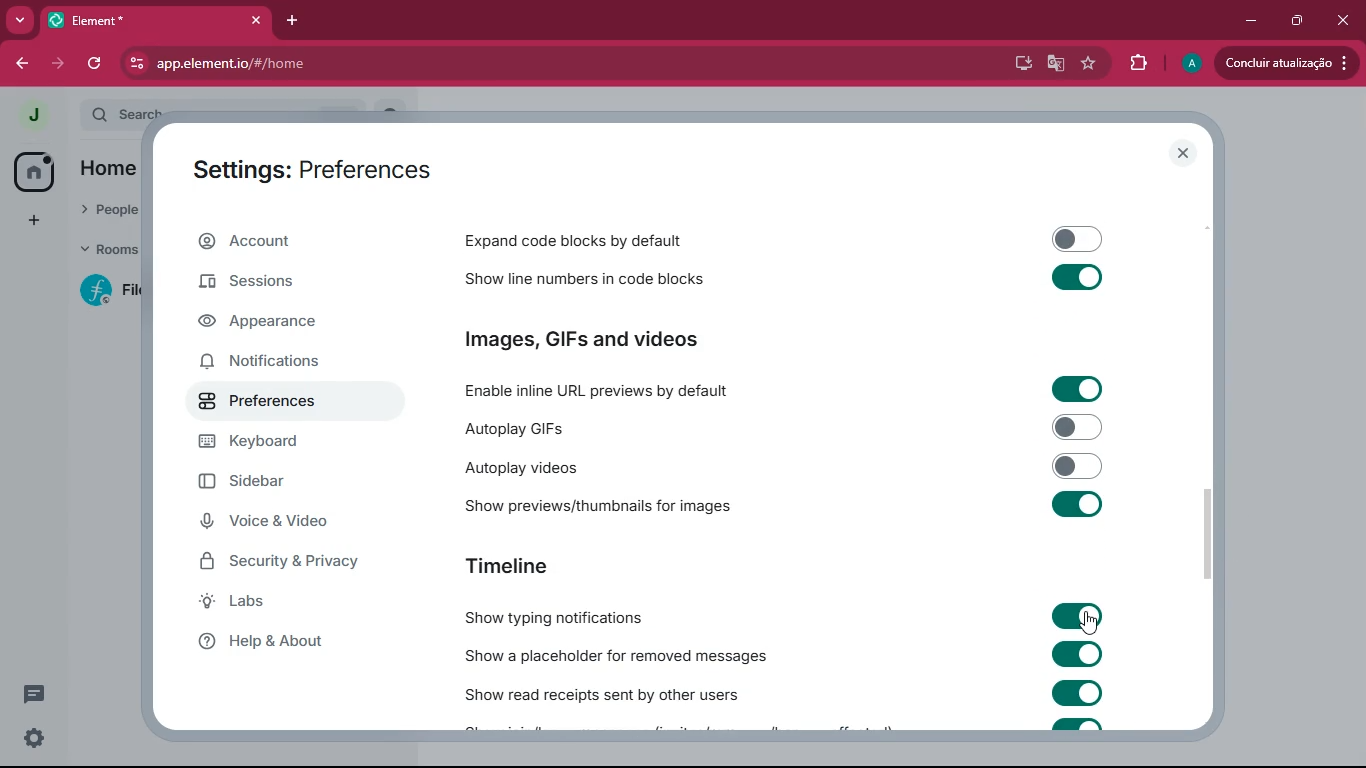 The height and width of the screenshot is (768, 1366). What do you see at coordinates (277, 403) in the screenshot?
I see `preferences` at bounding box center [277, 403].